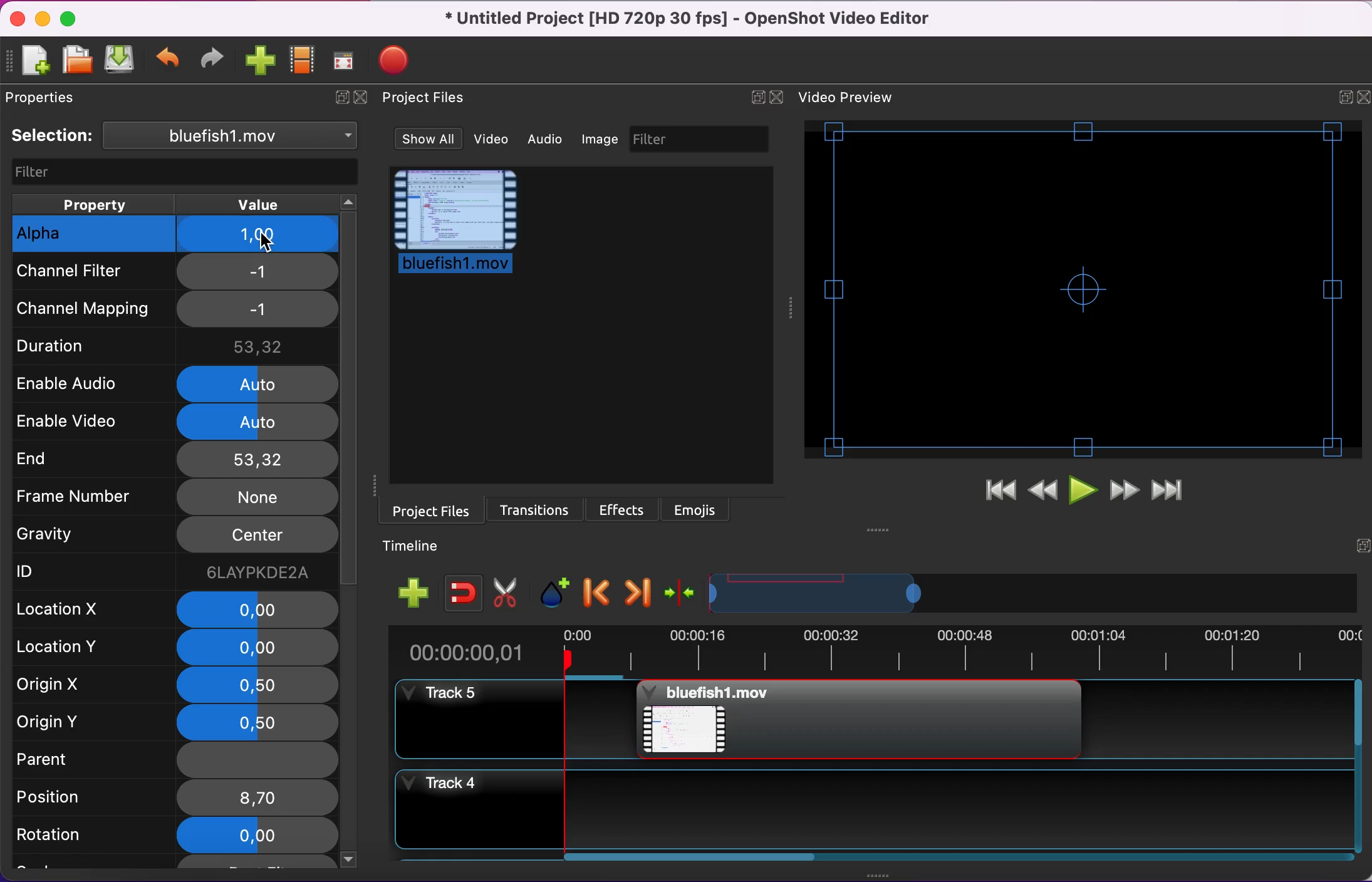 The image size is (1372, 882). I want to click on rigin x, so click(70, 688).